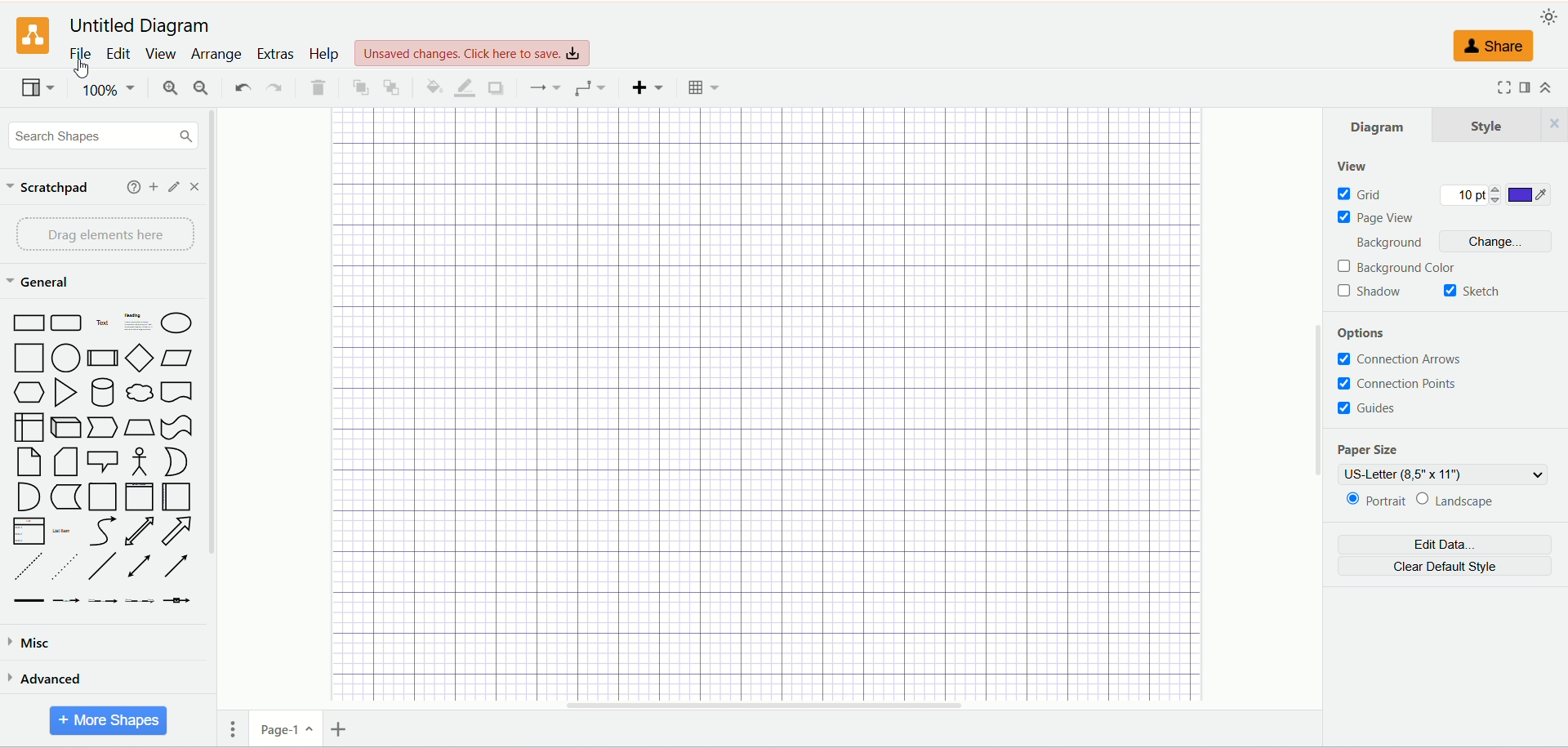 The height and width of the screenshot is (748, 1568). What do you see at coordinates (161, 54) in the screenshot?
I see `view` at bounding box center [161, 54].